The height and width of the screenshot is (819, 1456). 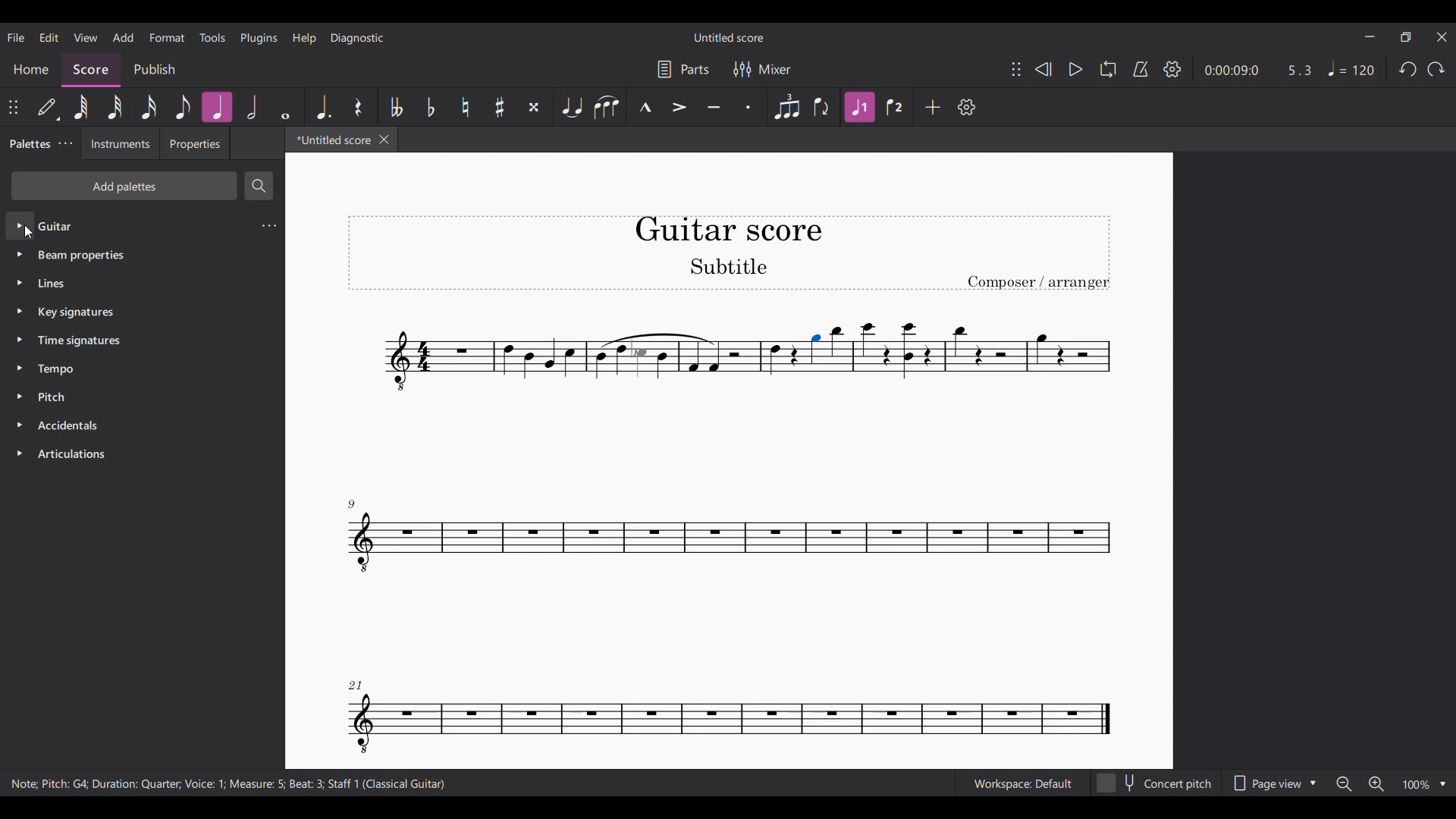 I want to click on Properties tab, so click(x=195, y=143).